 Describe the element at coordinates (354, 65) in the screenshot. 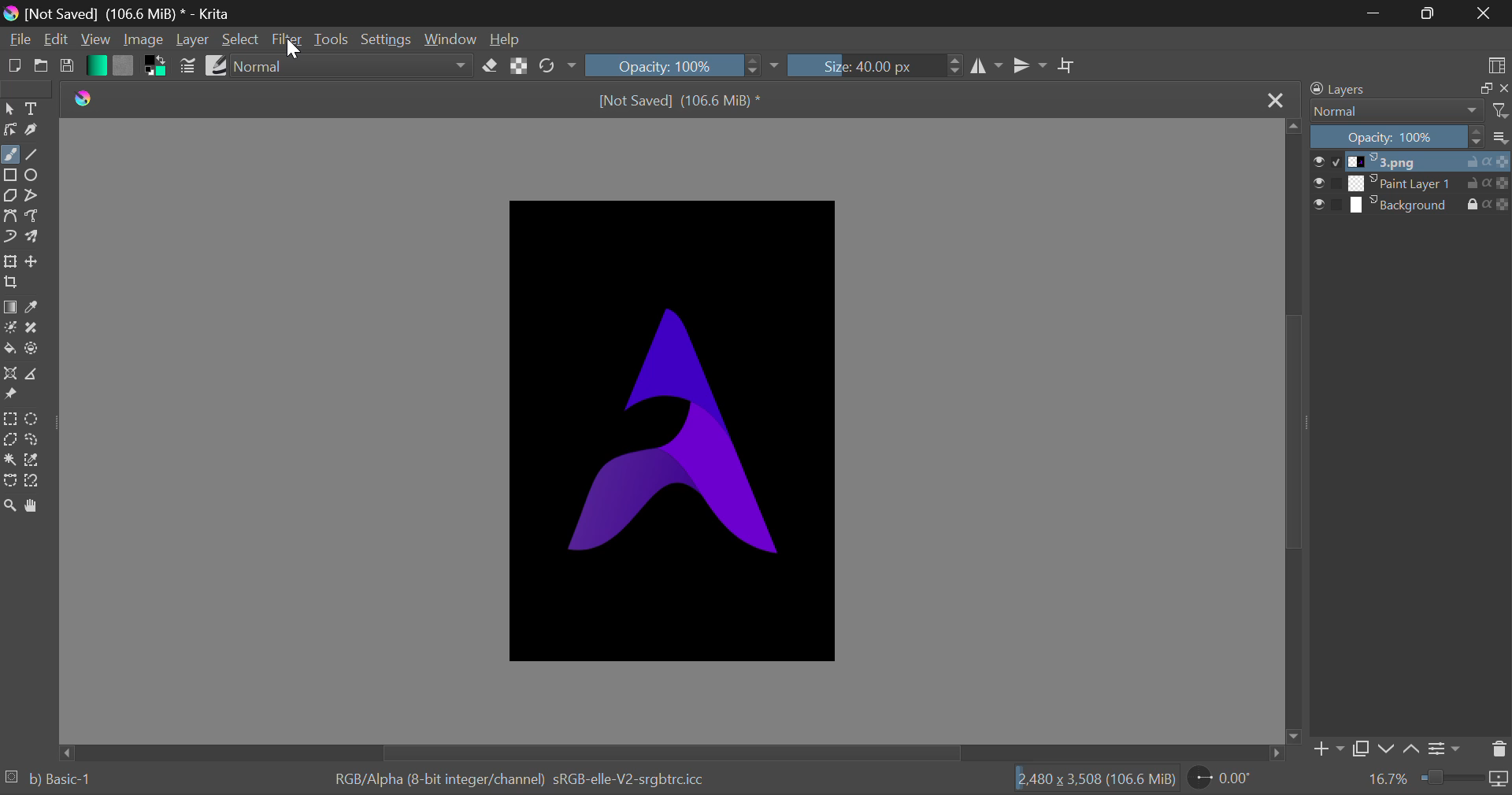

I see `Normal` at that location.